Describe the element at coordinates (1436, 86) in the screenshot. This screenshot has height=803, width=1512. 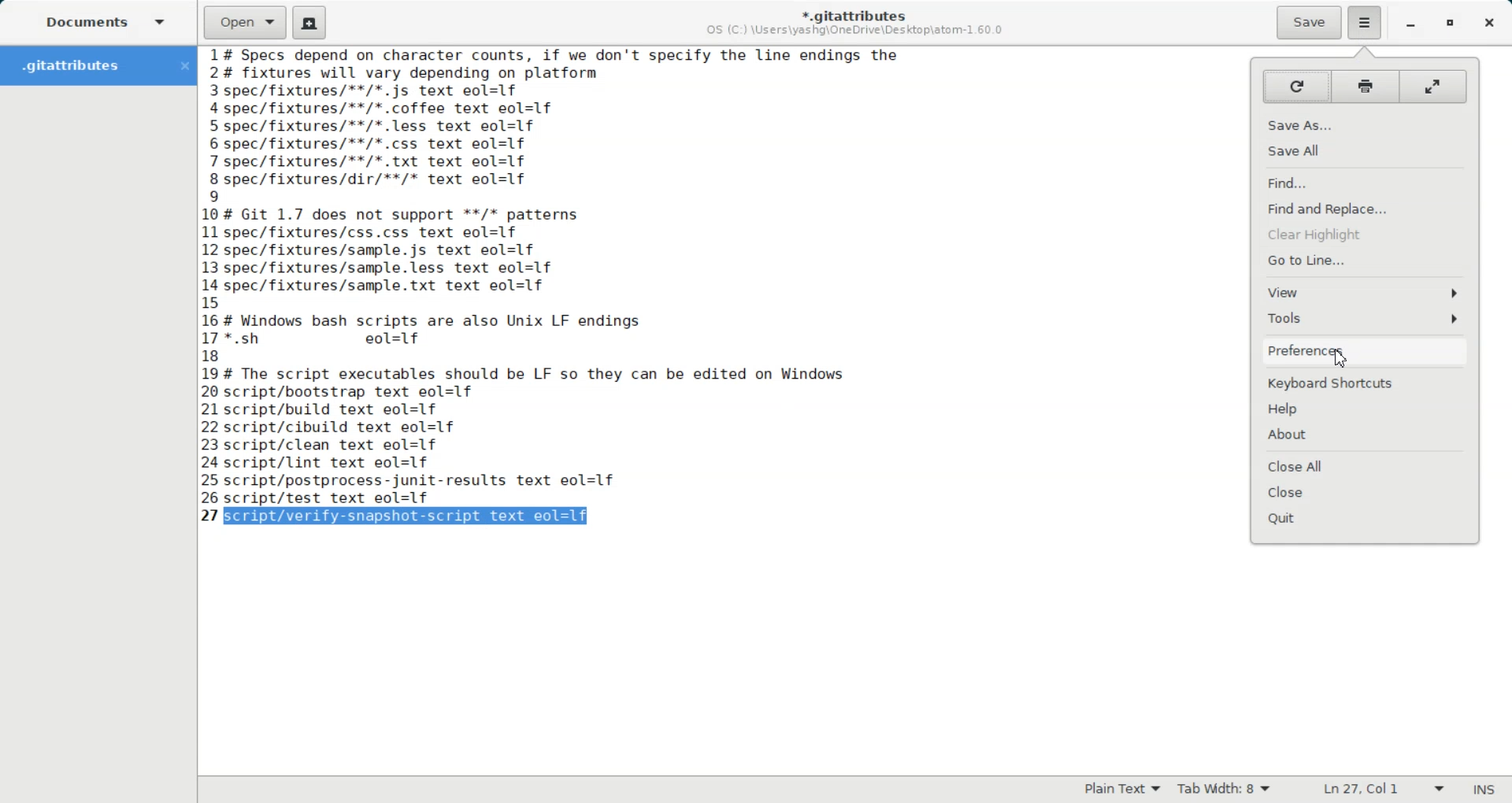
I see `Full screen` at that location.